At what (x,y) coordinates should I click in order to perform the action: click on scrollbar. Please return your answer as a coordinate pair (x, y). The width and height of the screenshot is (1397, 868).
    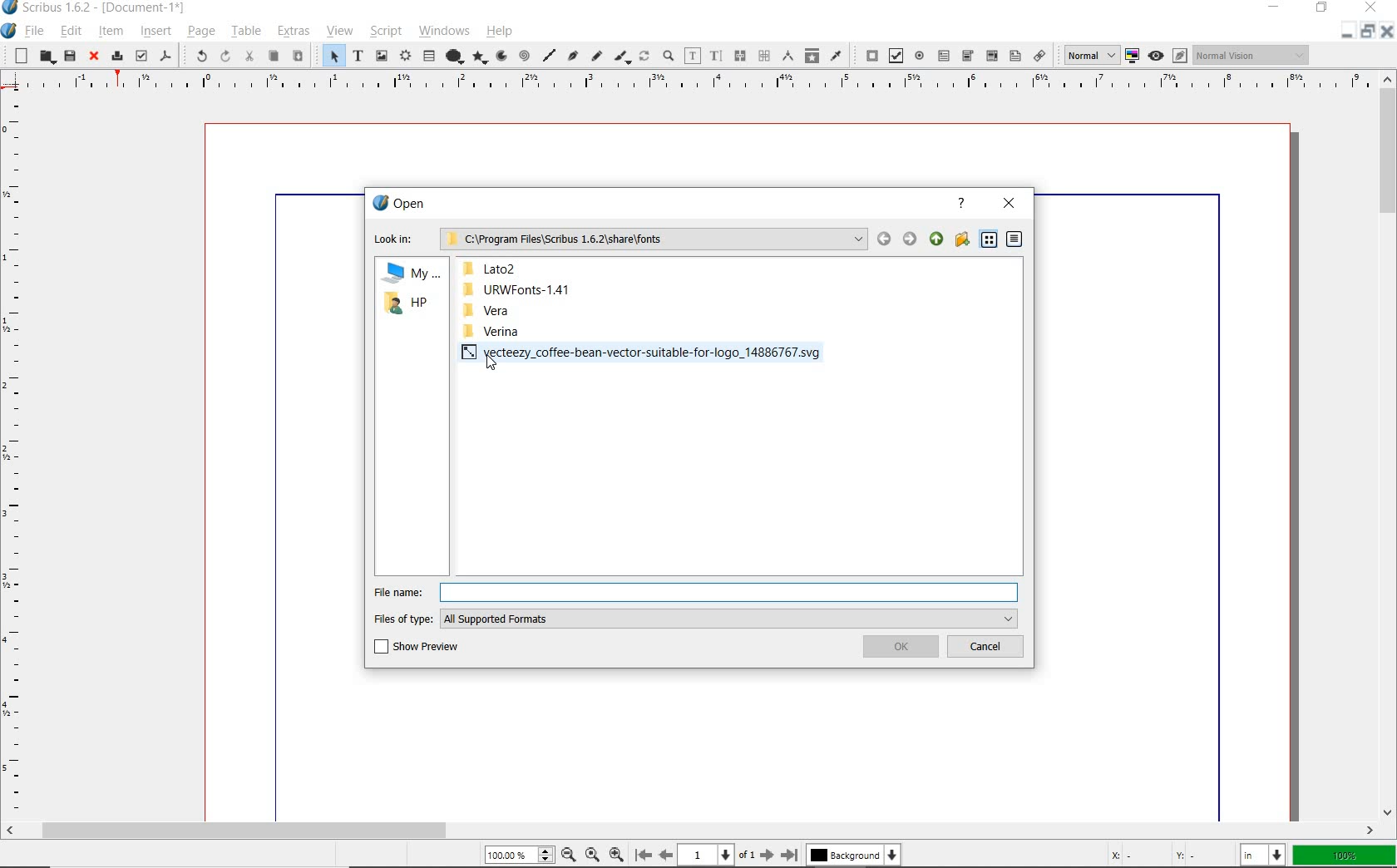
    Looking at the image, I should click on (690, 832).